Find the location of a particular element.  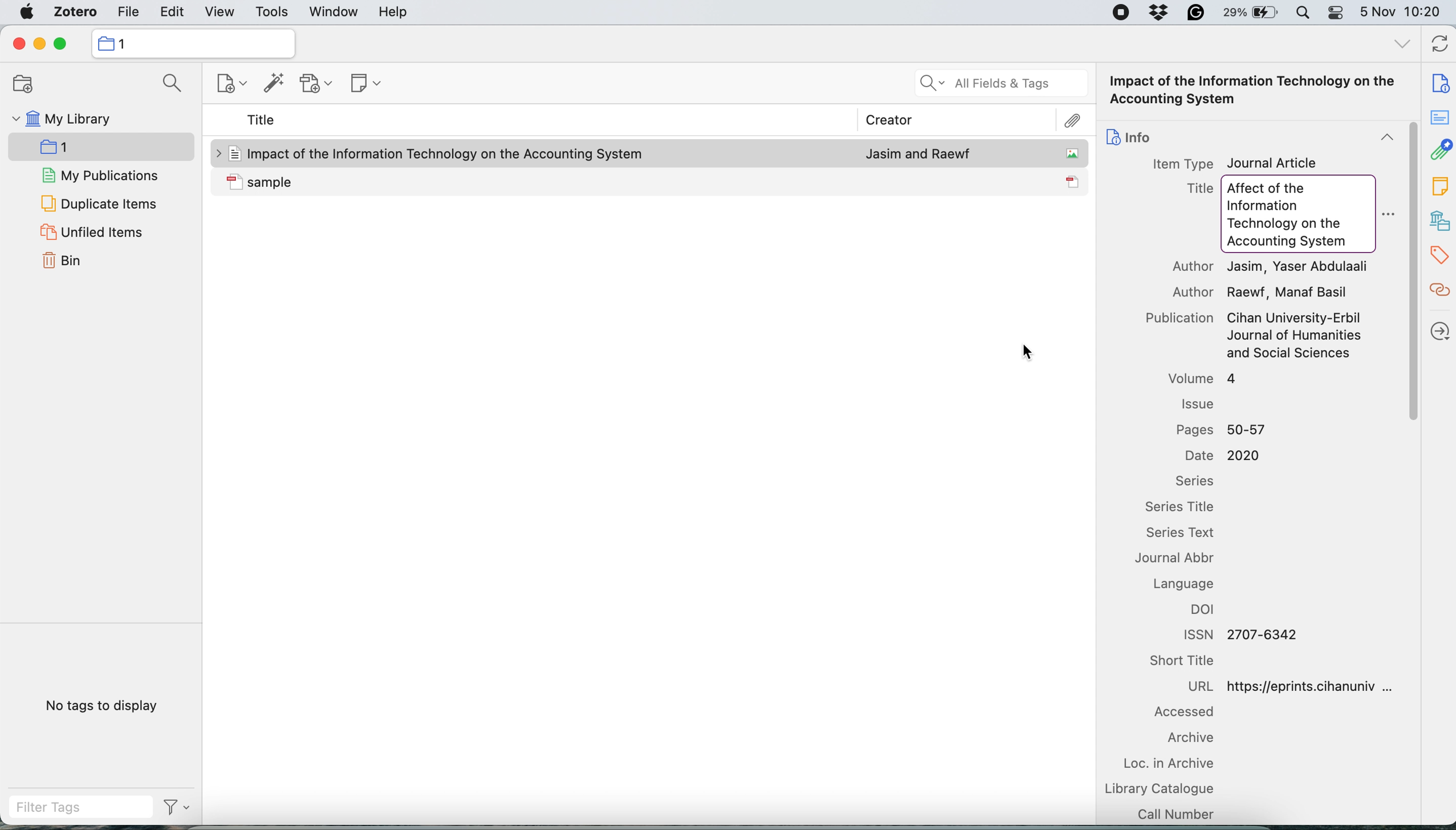

note is located at coordinates (1439, 186).